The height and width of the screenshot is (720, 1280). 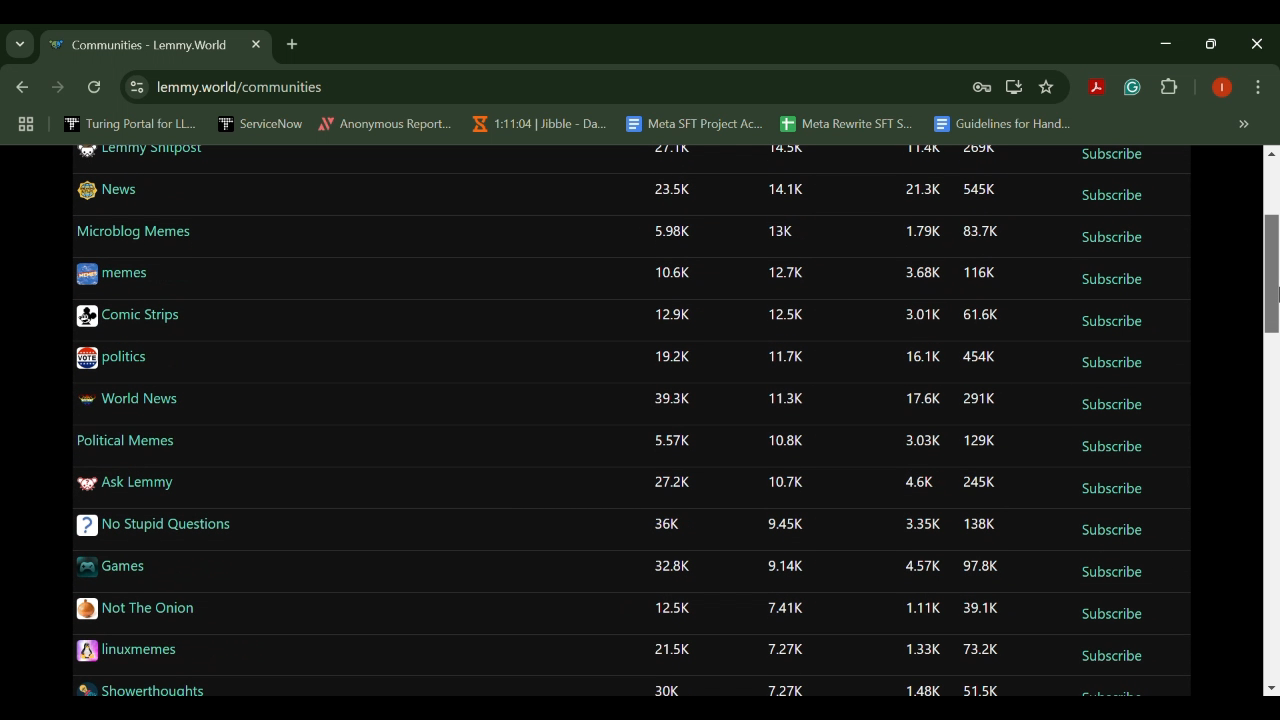 What do you see at coordinates (1113, 406) in the screenshot?
I see `Subscribe` at bounding box center [1113, 406].